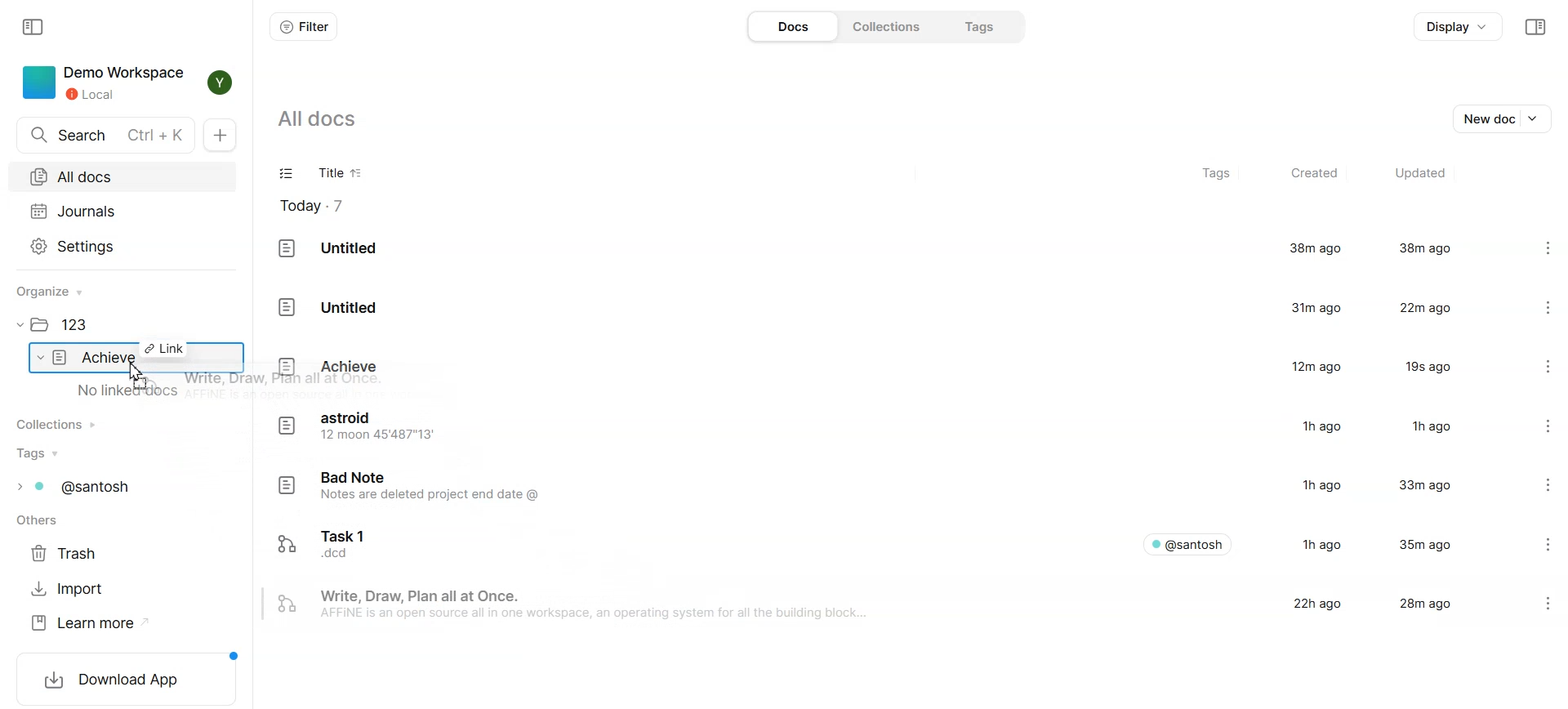 The height and width of the screenshot is (709, 1568). I want to click on Tags, so click(975, 26).